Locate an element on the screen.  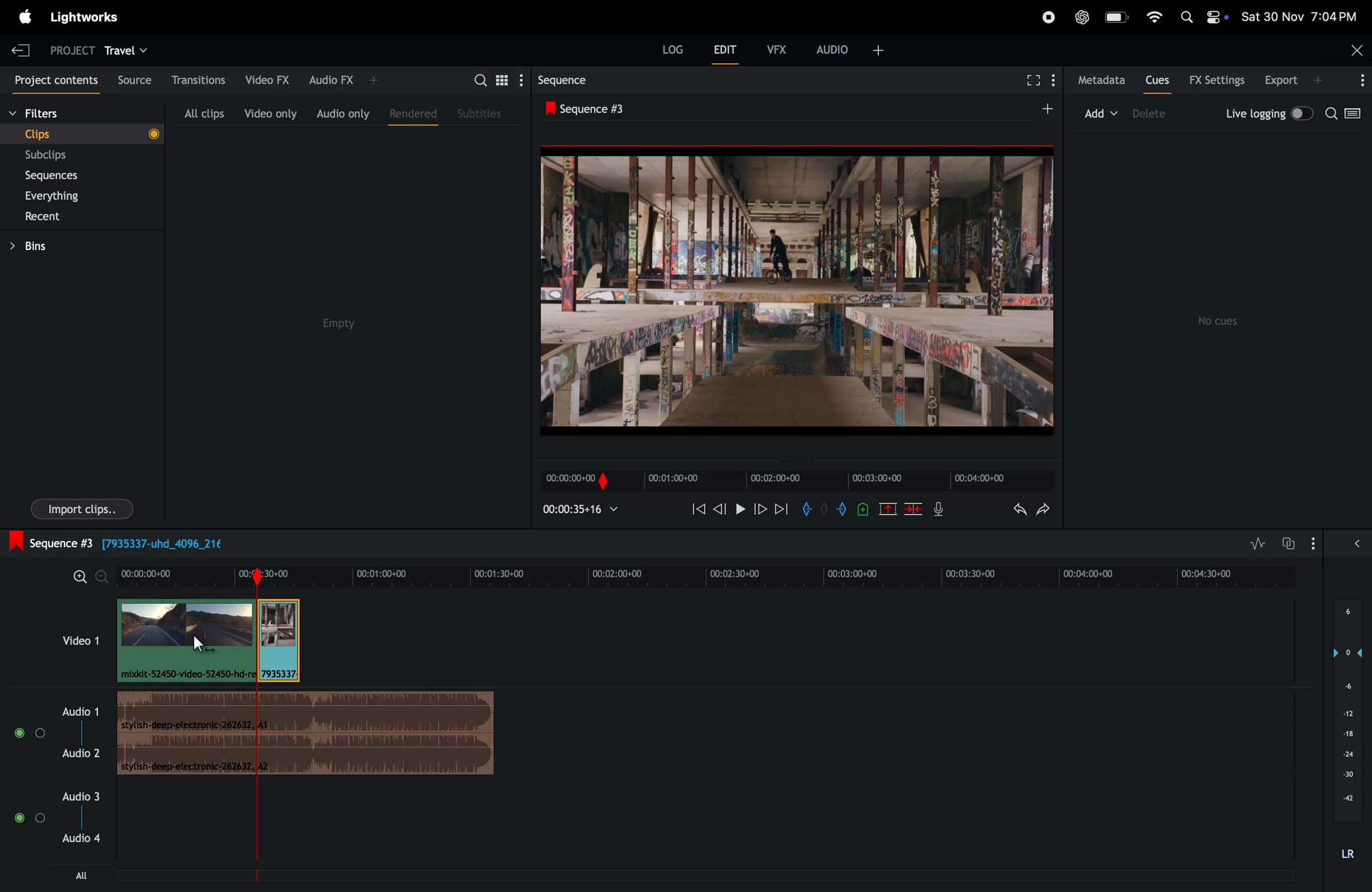
exit is located at coordinates (21, 48).